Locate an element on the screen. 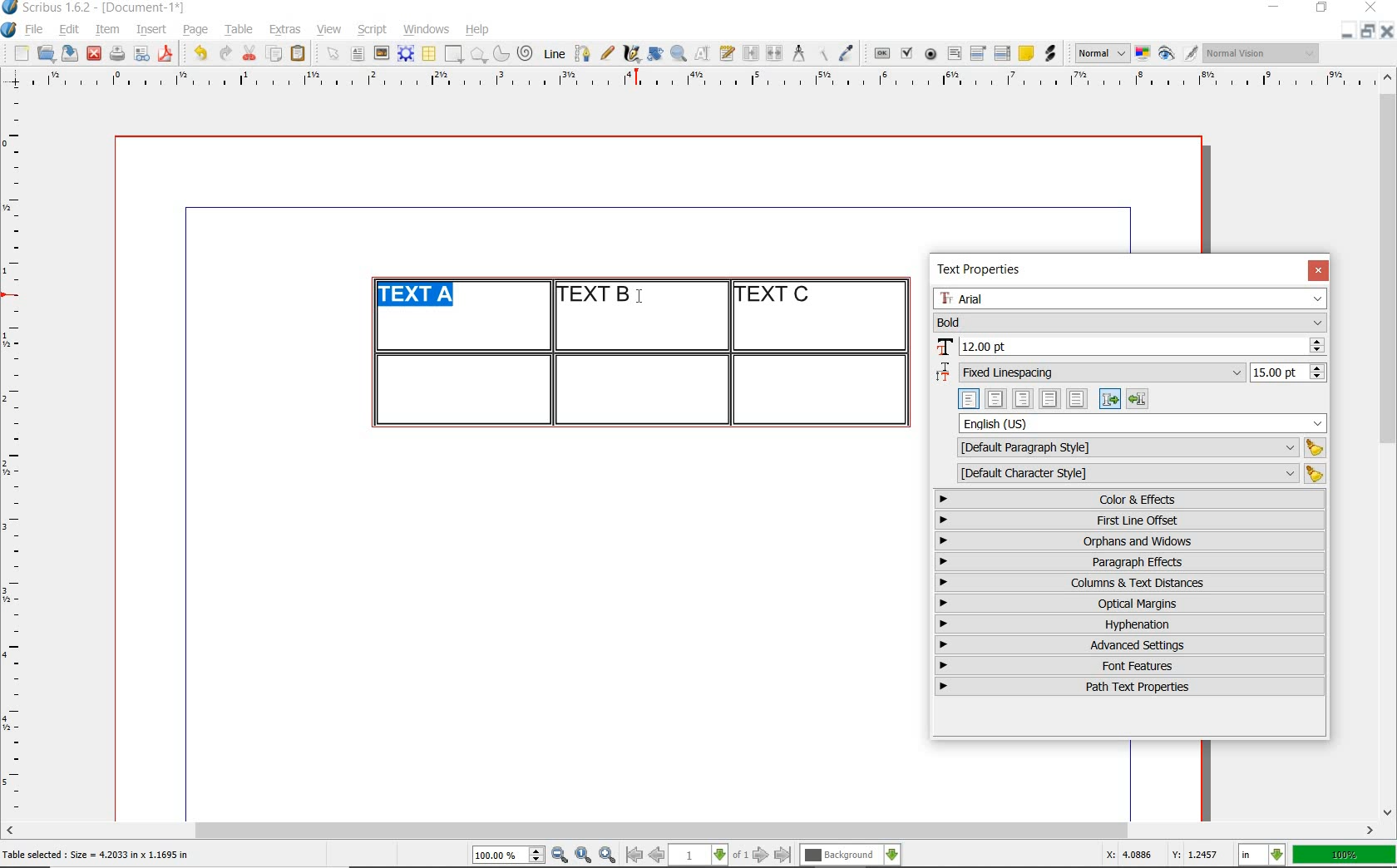 Image resolution: width=1397 pixels, height=868 pixels. table is located at coordinates (239, 30).